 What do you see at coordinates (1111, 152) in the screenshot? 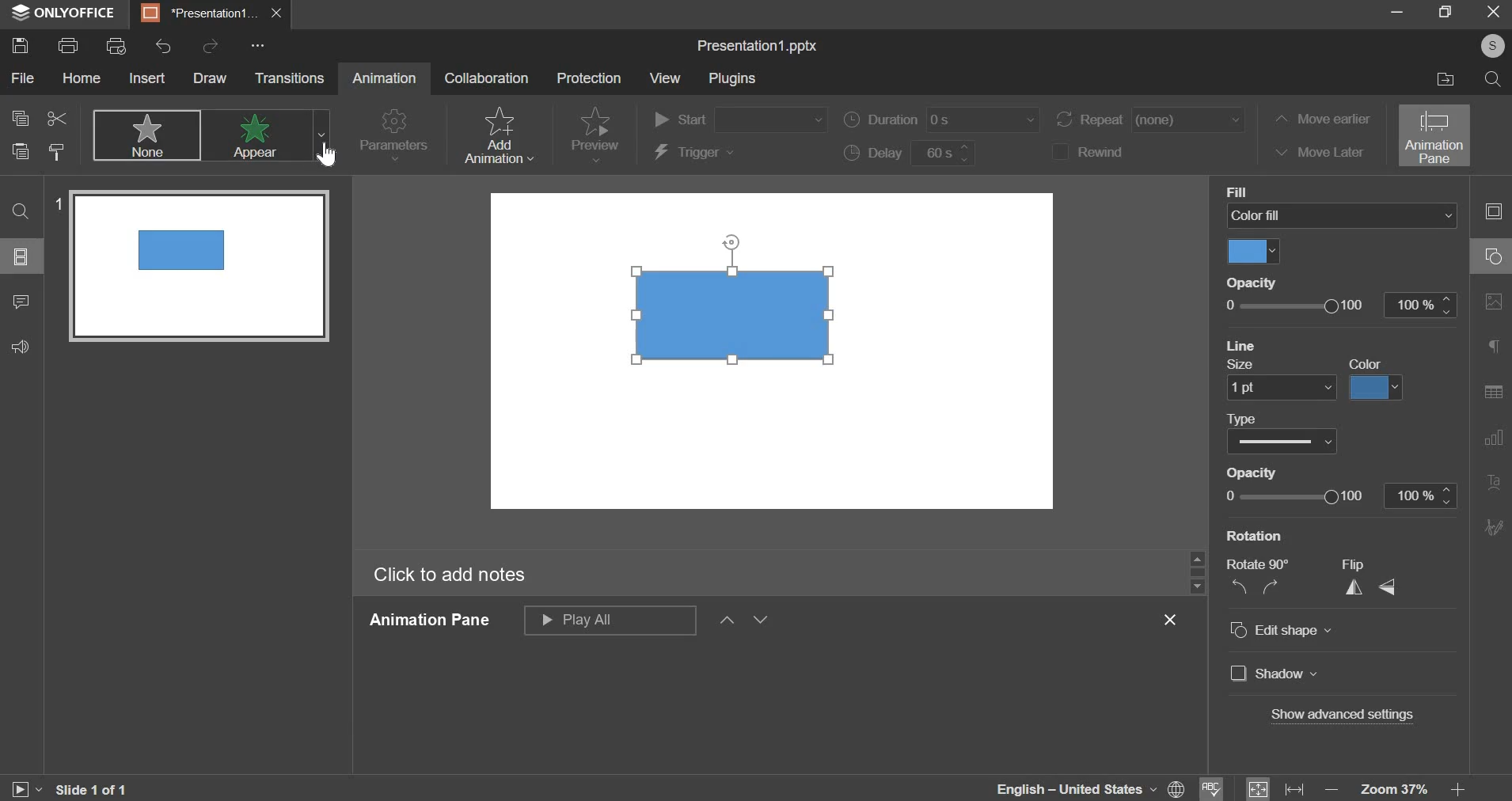
I see `rewind` at bounding box center [1111, 152].